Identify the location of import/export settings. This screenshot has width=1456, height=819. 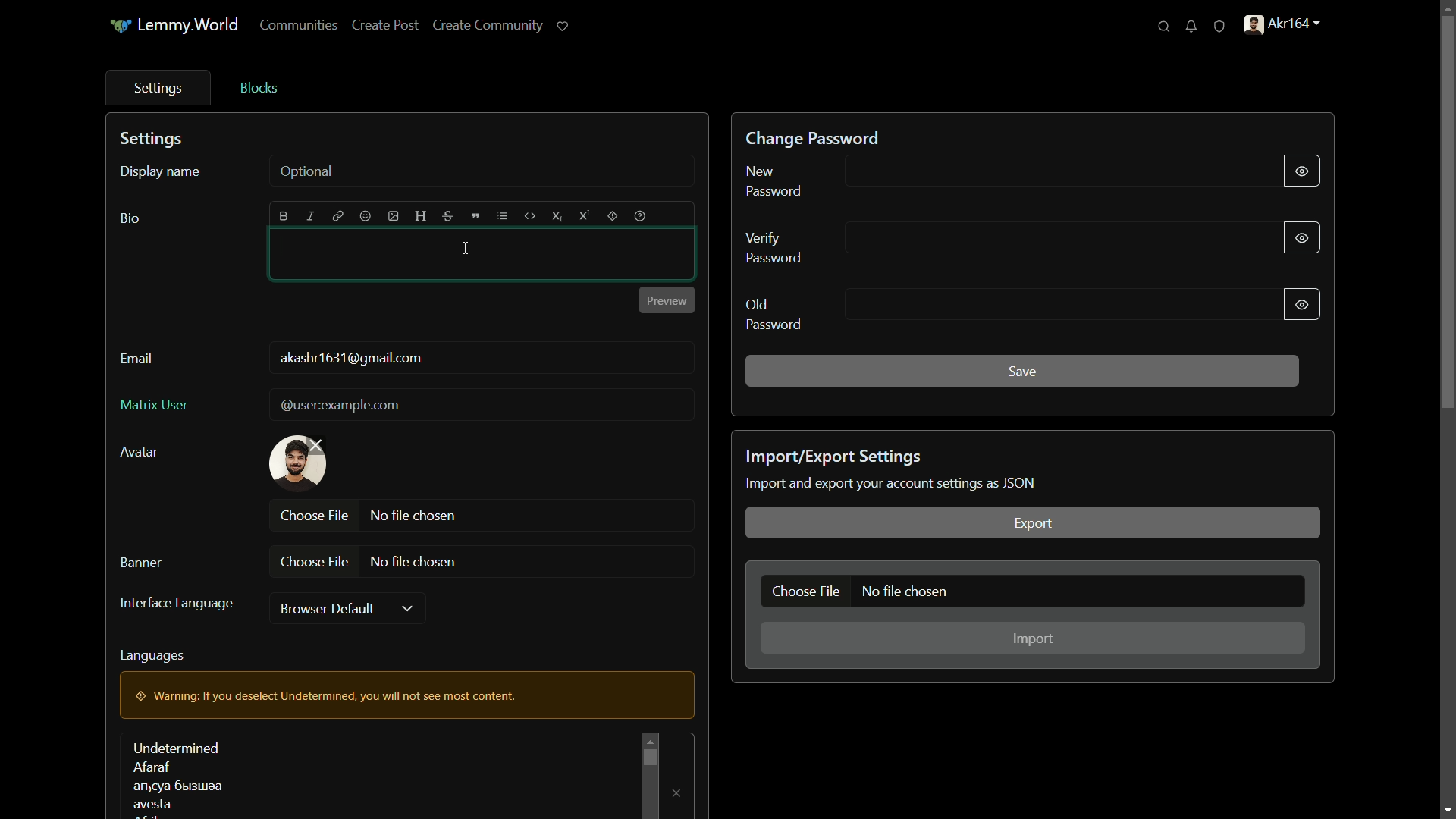
(833, 457).